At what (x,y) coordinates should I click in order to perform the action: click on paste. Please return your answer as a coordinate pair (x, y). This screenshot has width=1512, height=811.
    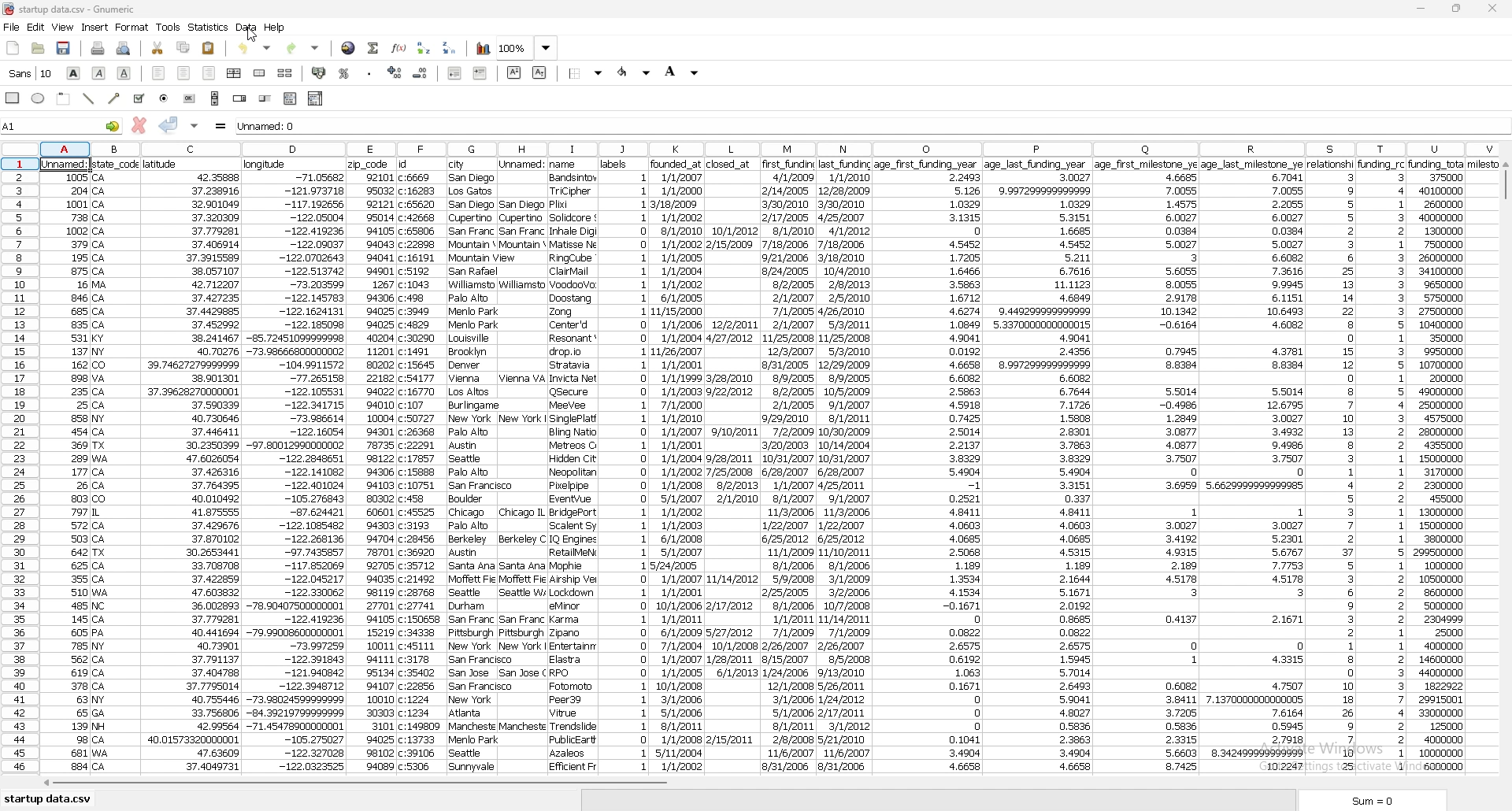
    Looking at the image, I should click on (209, 47).